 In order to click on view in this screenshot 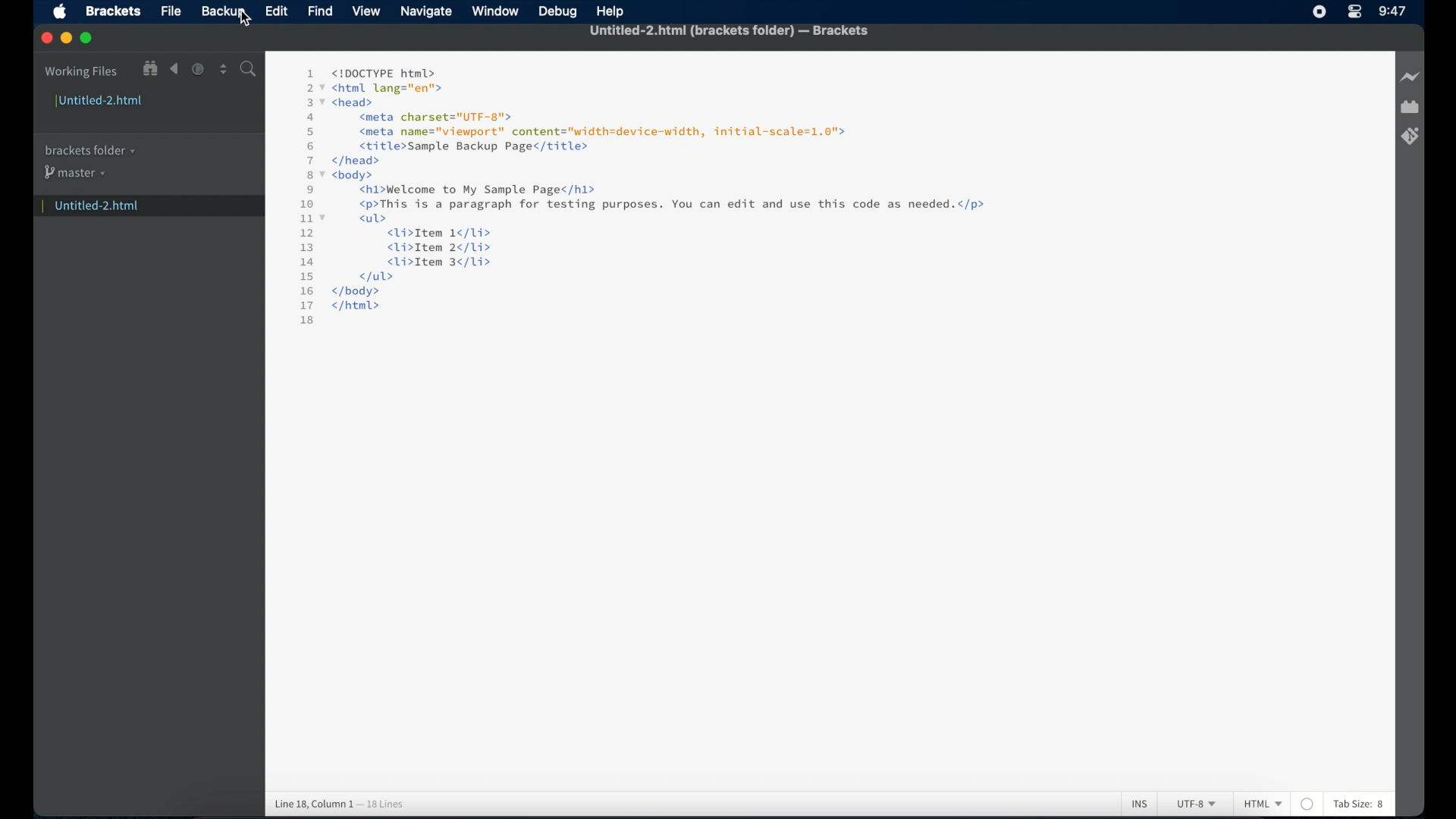, I will do `click(366, 11)`.